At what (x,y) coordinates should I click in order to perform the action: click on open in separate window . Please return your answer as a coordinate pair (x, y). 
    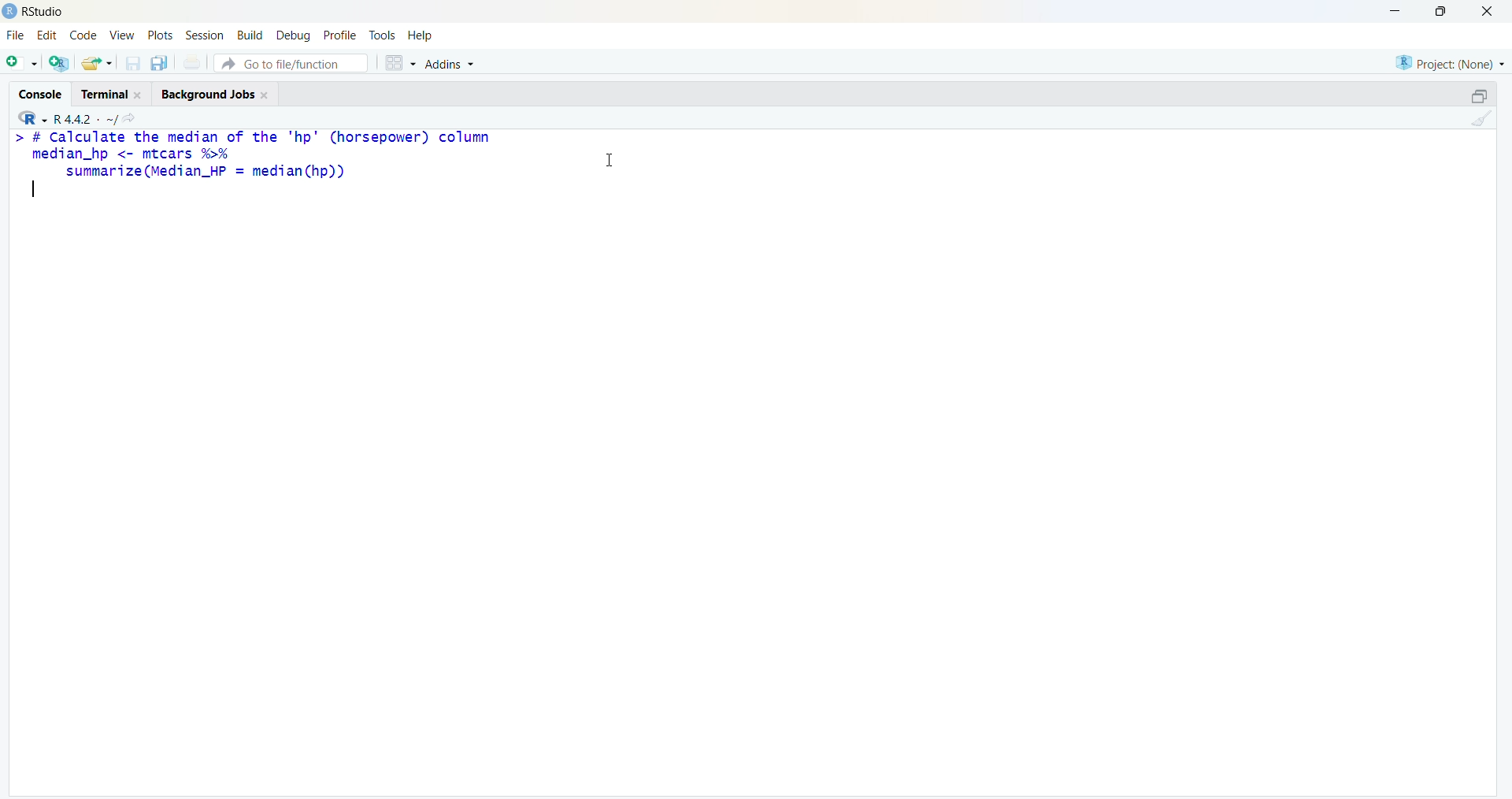
    Looking at the image, I should click on (1480, 95).